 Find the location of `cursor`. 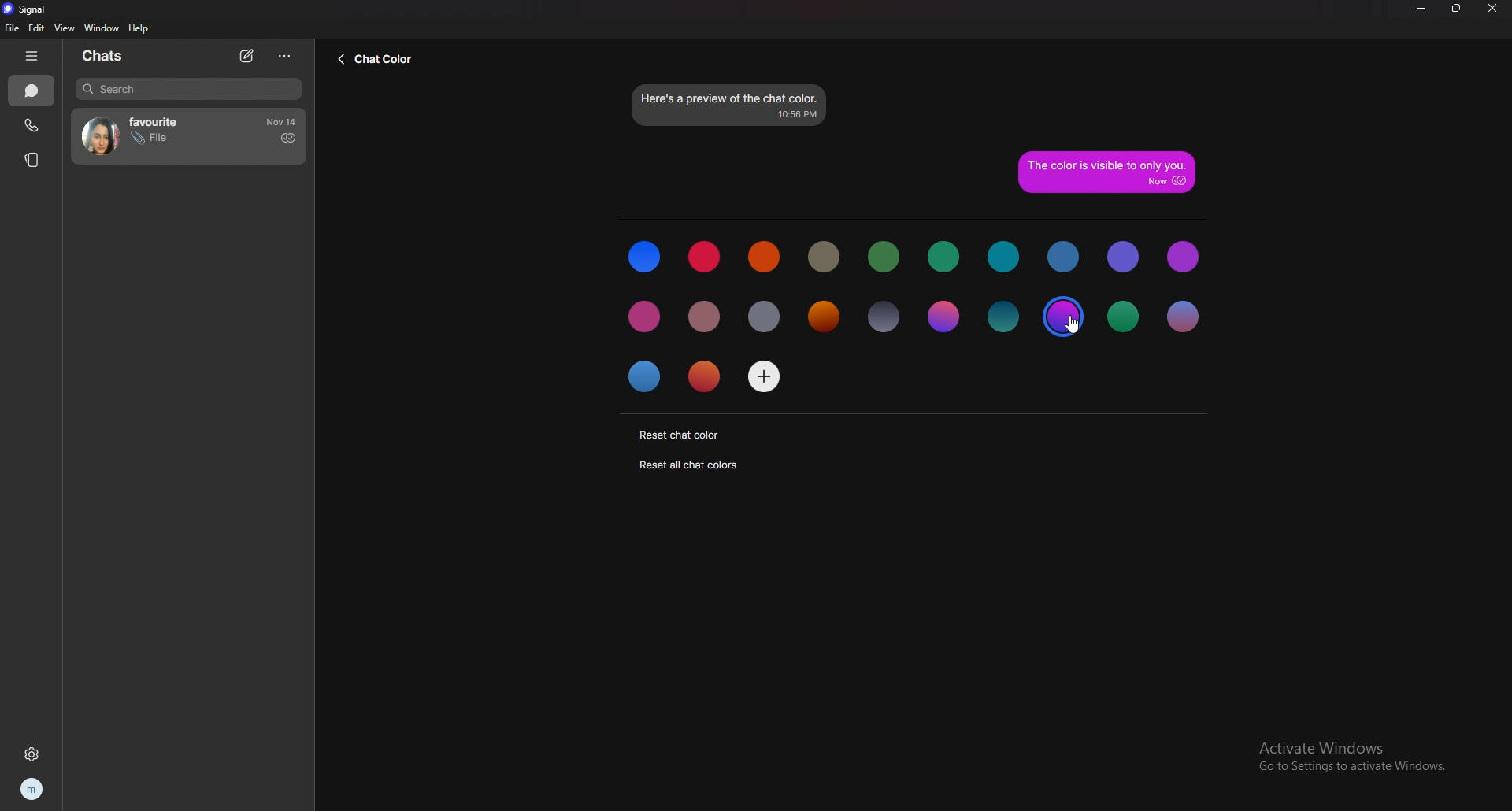

cursor is located at coordinates (1069, 324).